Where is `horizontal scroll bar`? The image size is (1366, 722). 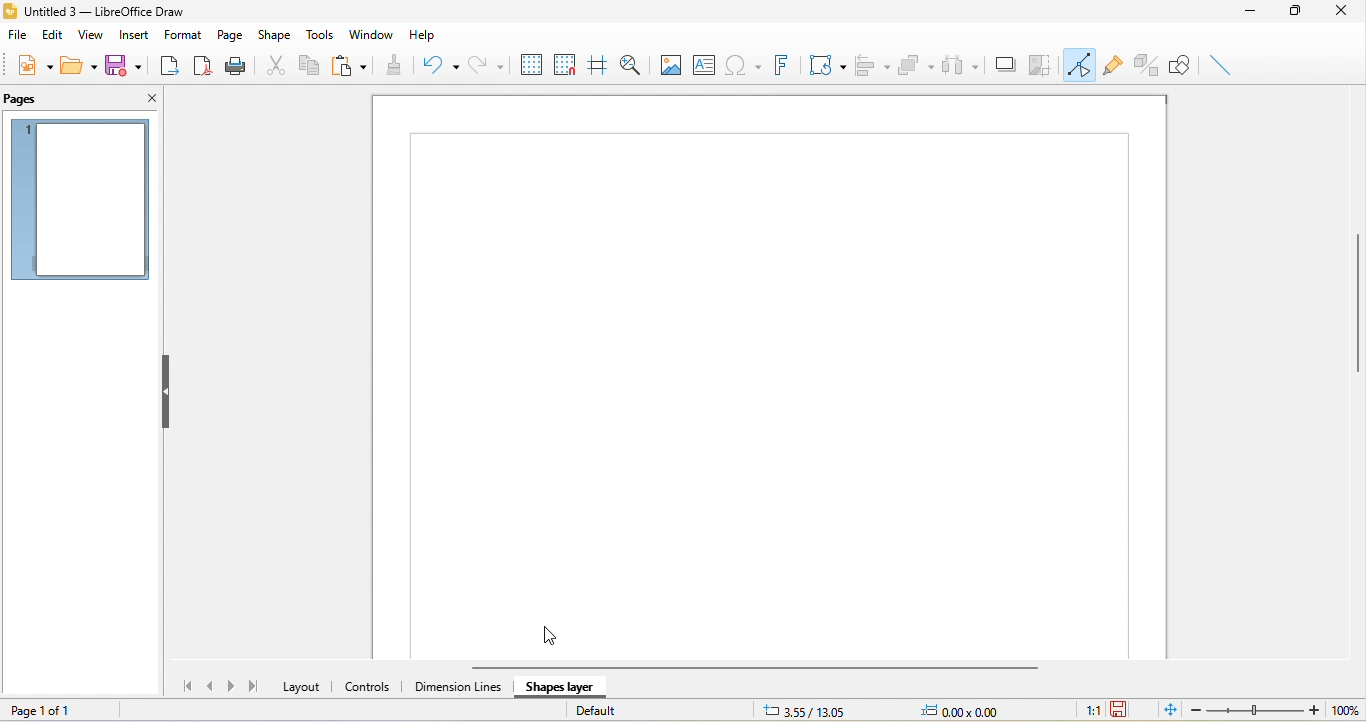
horizontal scroll bar is located at coordinates (765, 666).